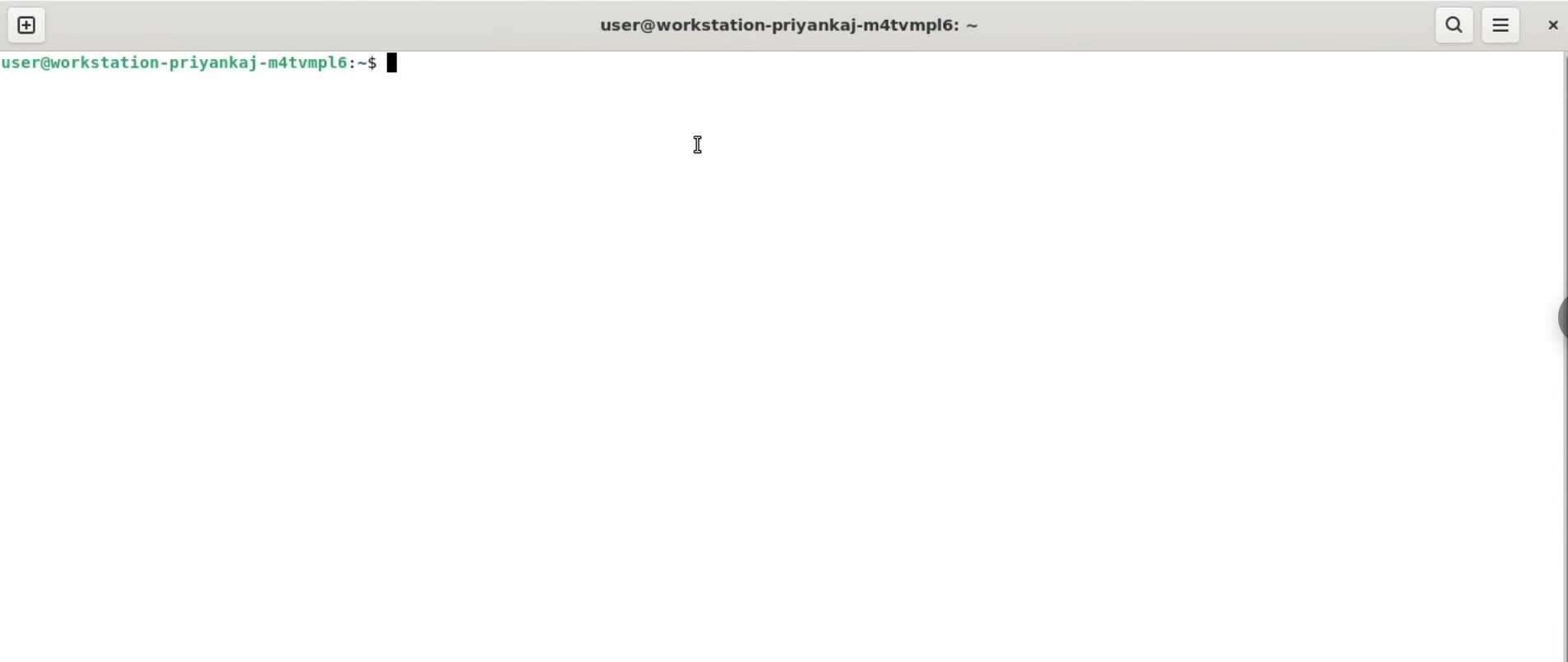  Describe the element at coordinates (1455, 25) in the screenshot. I see `search` at that location.